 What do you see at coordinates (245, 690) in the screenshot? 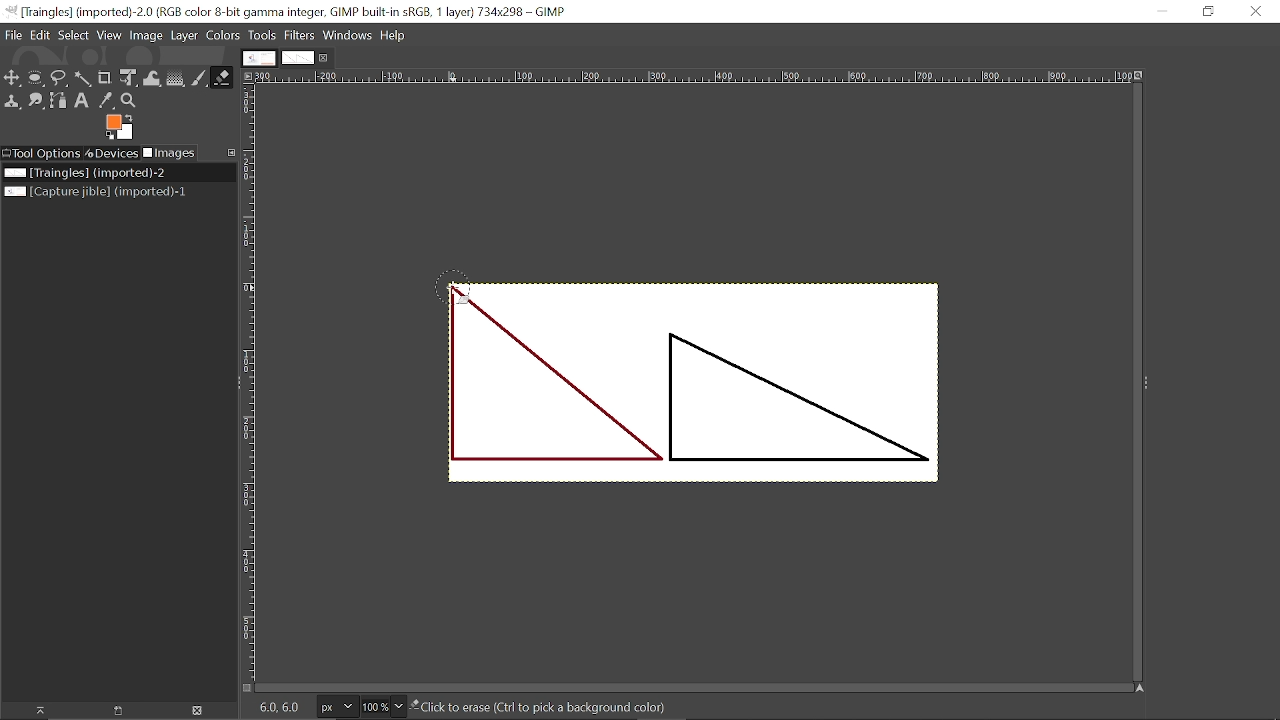
I see `Quck toggle mask on/off` at bounding box center [245, 690].